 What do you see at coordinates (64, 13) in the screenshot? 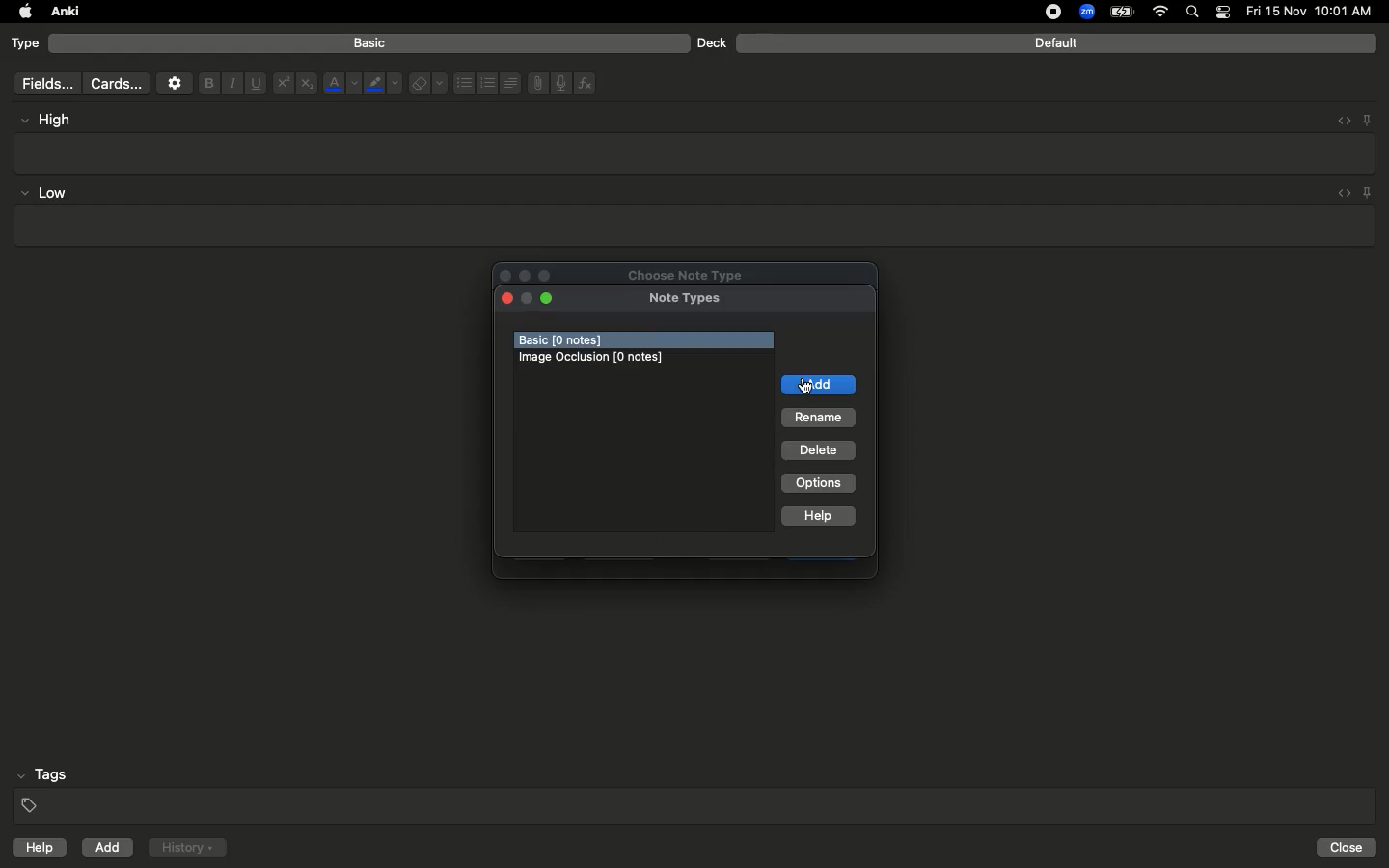
I see `Anki` at bounding box center [64, 13].